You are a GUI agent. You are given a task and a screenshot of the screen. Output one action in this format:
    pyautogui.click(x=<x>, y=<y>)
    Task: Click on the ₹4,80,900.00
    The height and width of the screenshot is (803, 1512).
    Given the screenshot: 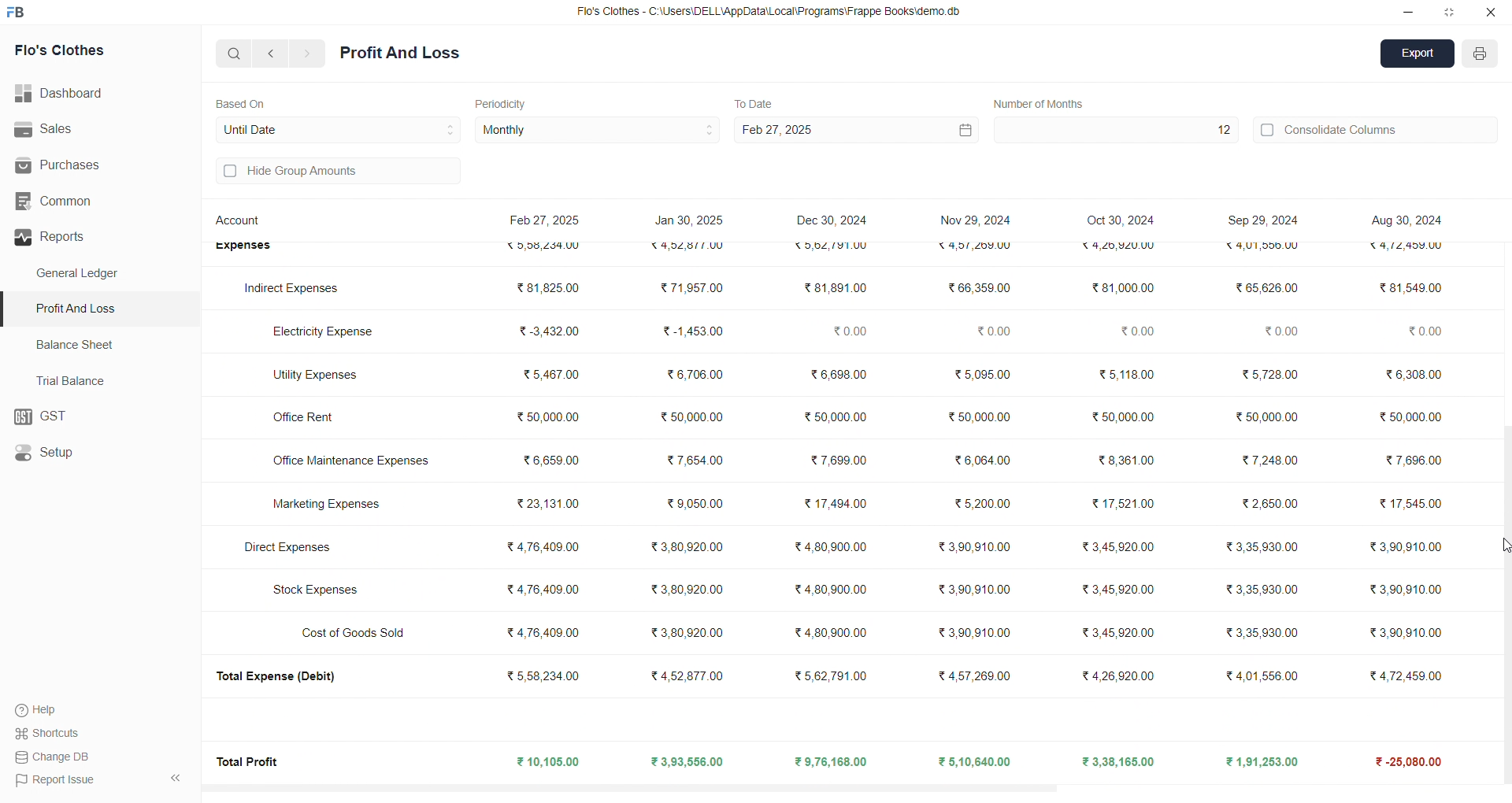 What is the action you would take?
    pyautogui.click(x=830, y=548)
    